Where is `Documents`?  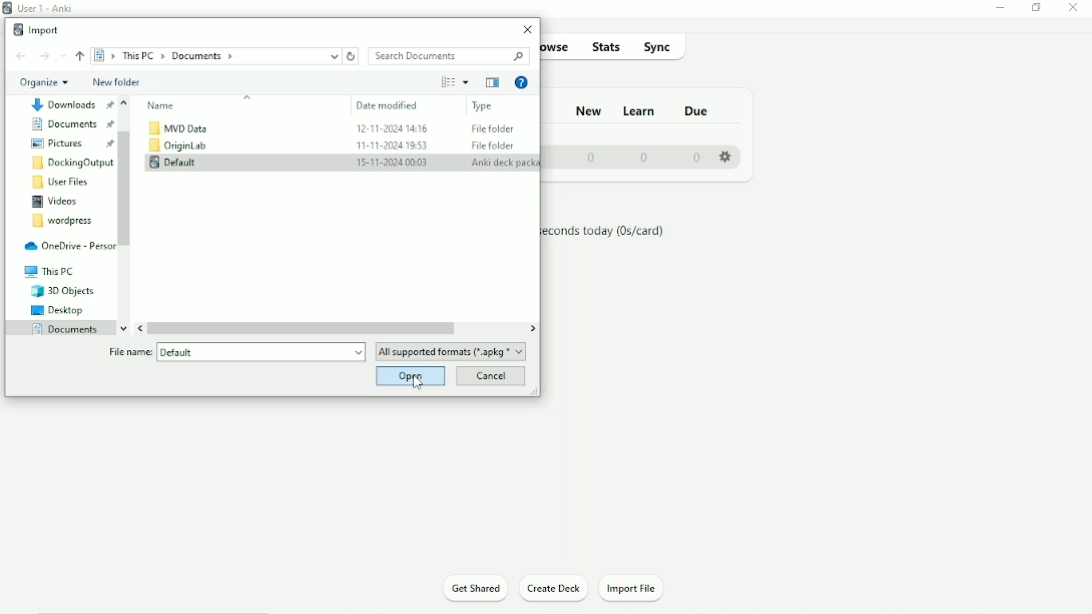
Documents is located at coordinates (62, 328).